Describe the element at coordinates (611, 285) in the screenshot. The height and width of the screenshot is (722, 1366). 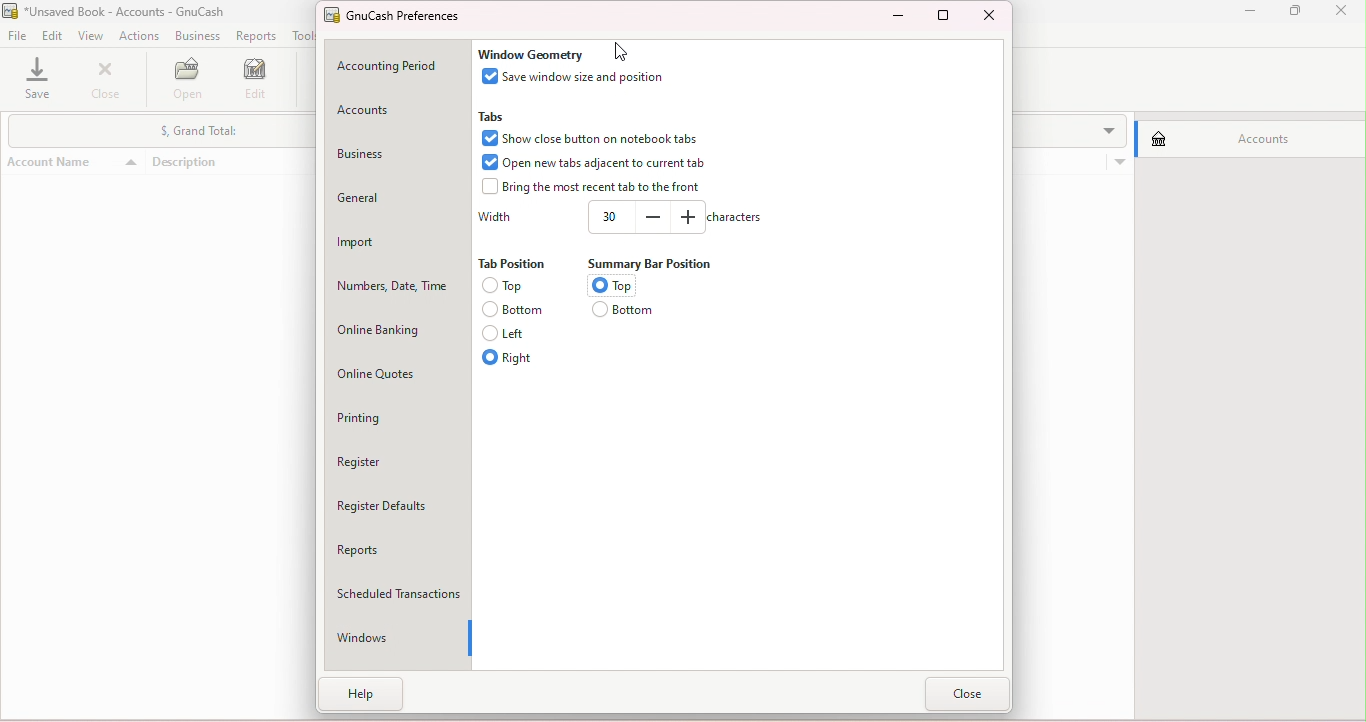
I see `Top` at that location.